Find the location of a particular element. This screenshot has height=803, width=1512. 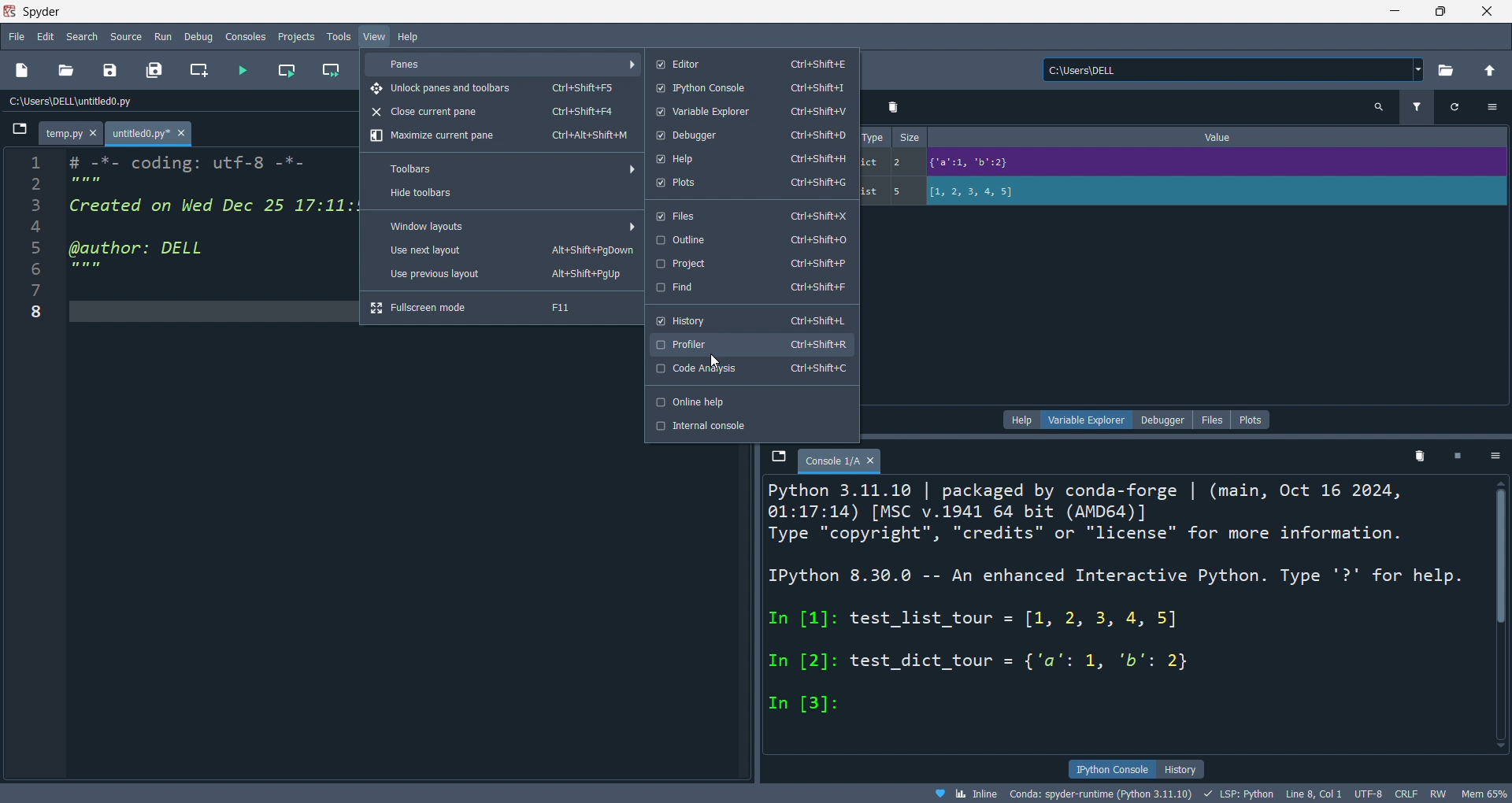

tab - Console 1/A is located at coordinates (840, 459).